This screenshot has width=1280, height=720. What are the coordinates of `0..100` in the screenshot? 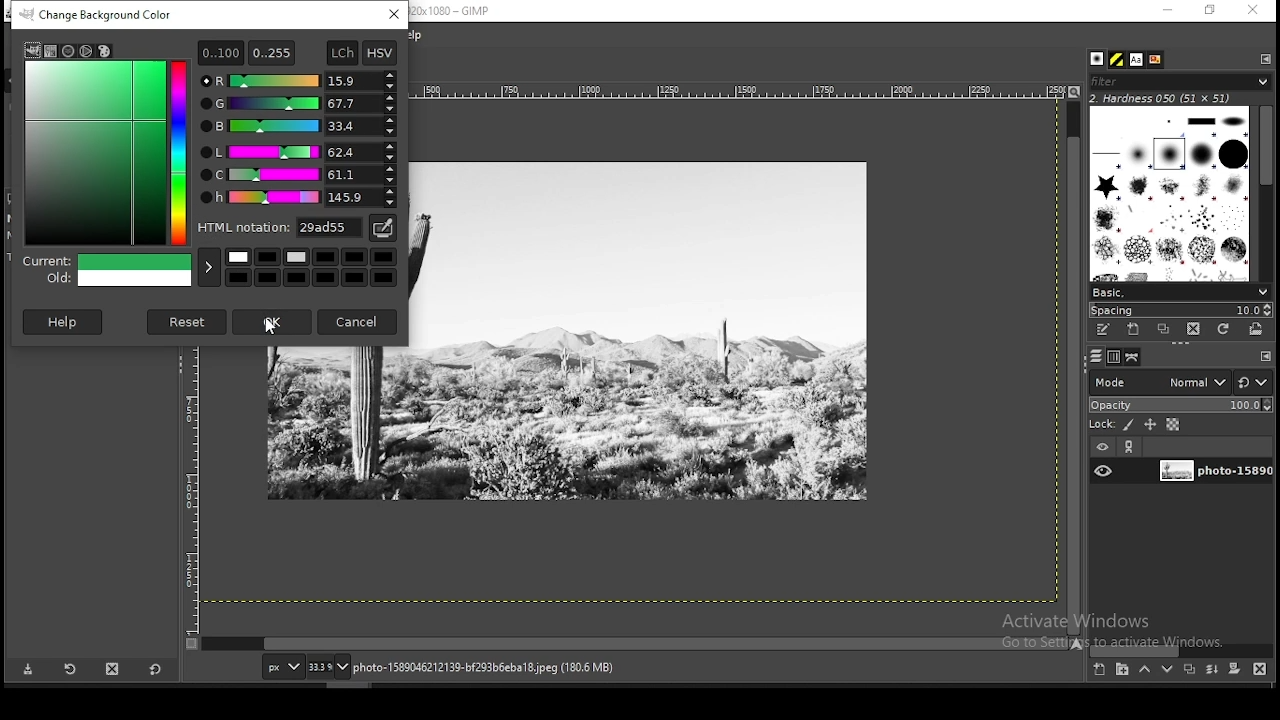 It's located at (220, 52).